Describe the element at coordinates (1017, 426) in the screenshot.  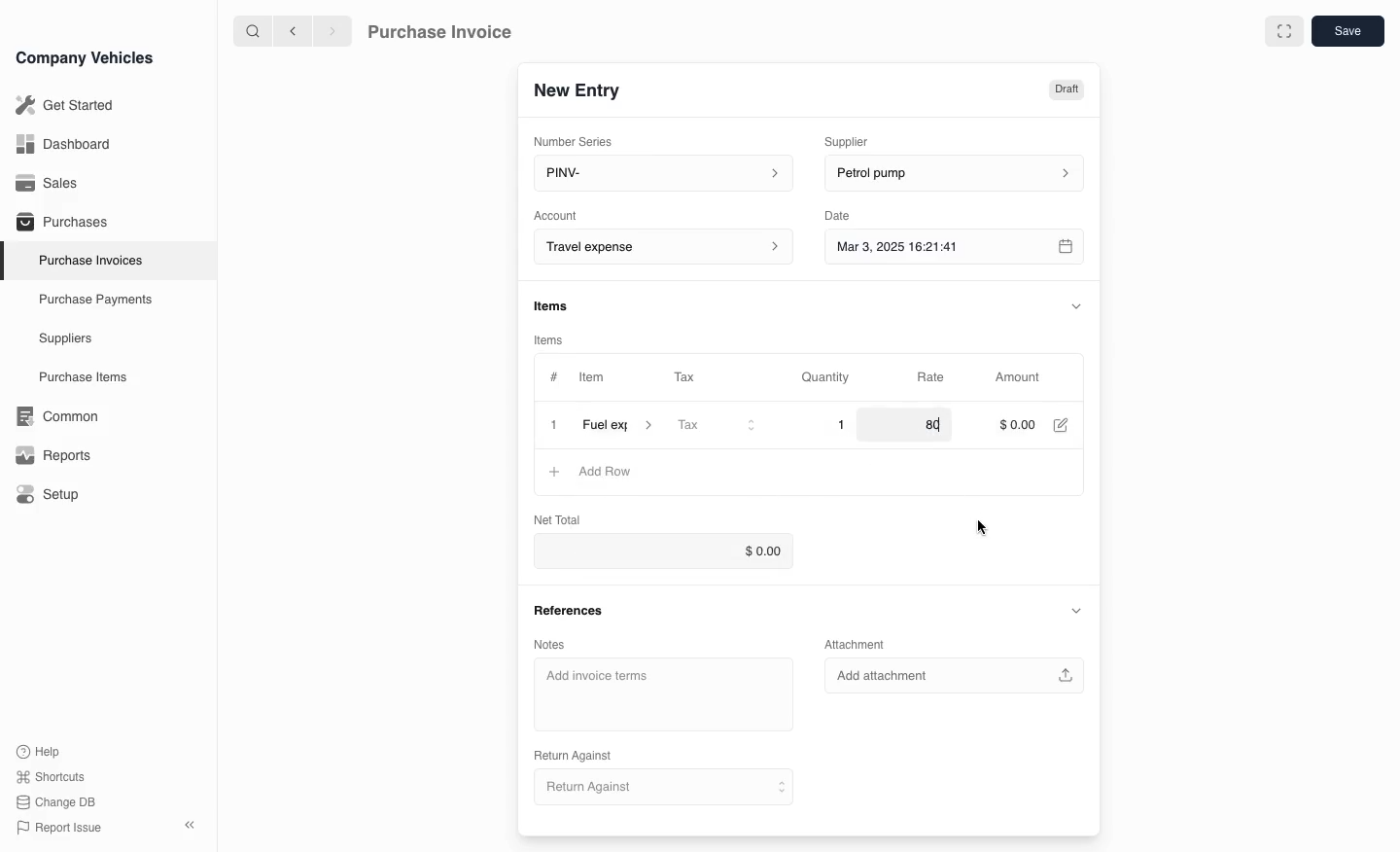
I see `$000` at that location.